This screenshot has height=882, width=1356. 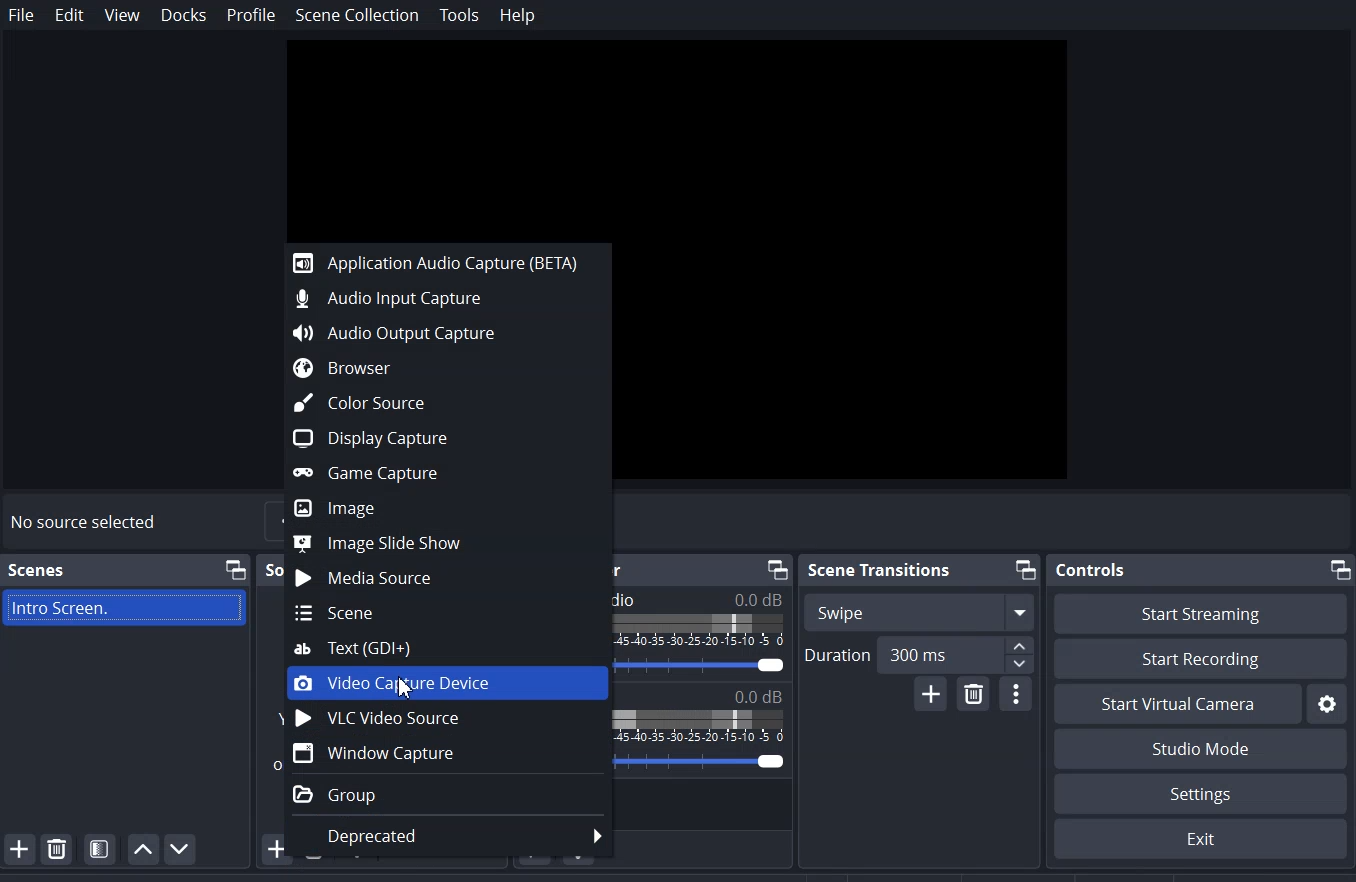 I want to click on Maximize, so click(x=234, y=569).